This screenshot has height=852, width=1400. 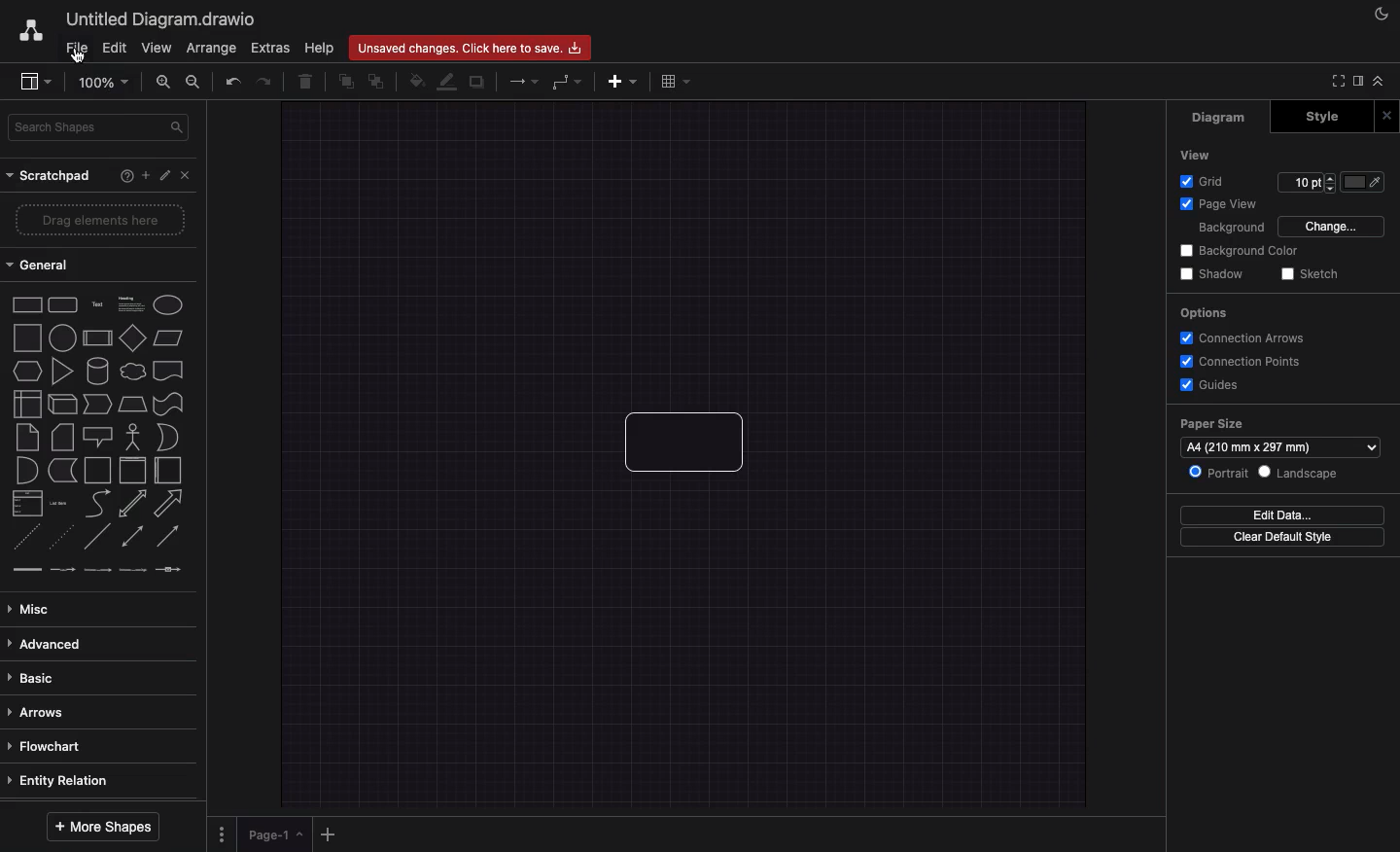 I want to click on More shapes, so click(x=102, y=826).